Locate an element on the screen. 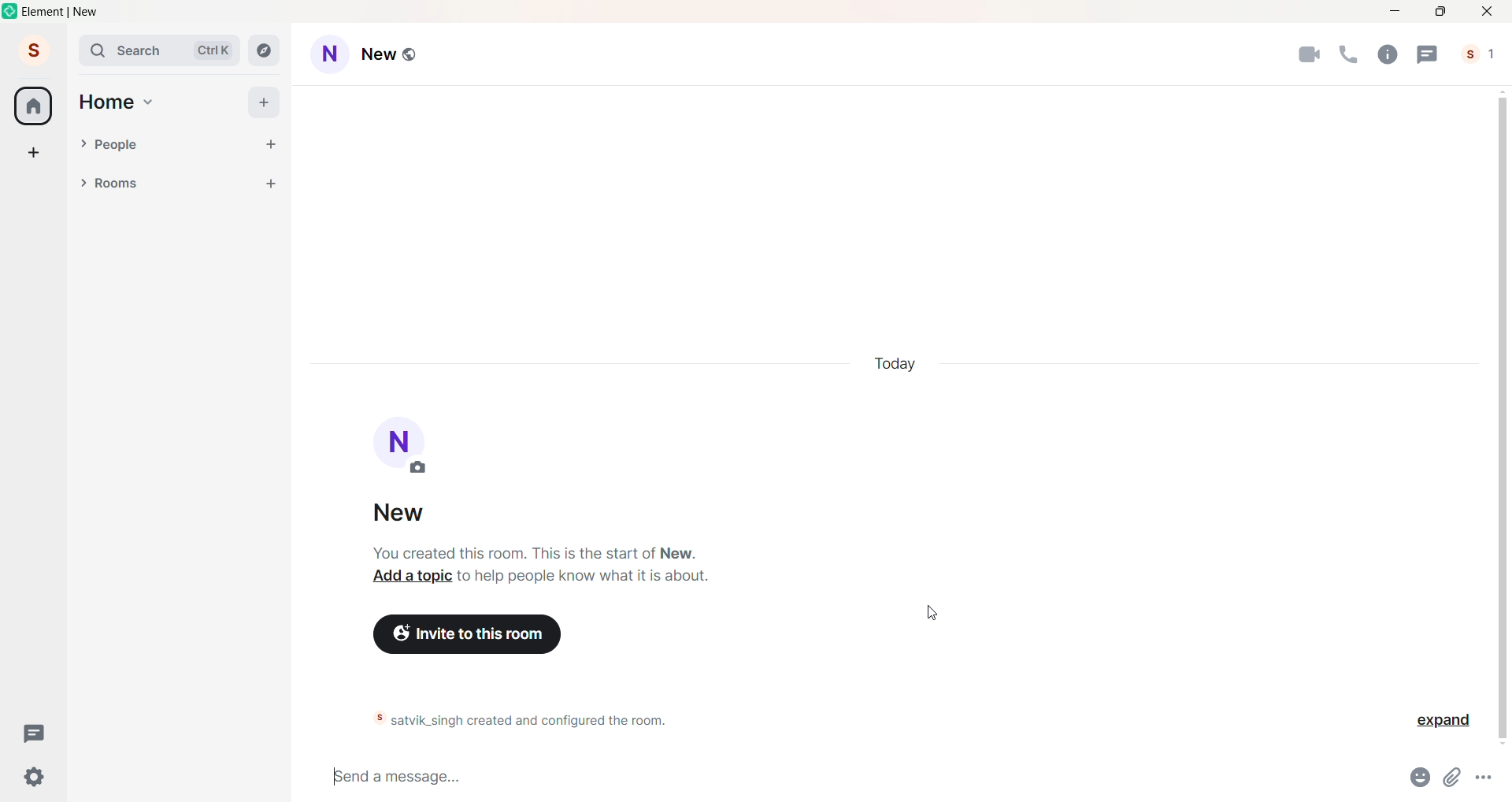 This screenshot has width=1512, height=802. Home is located at coordinates (106, 102).